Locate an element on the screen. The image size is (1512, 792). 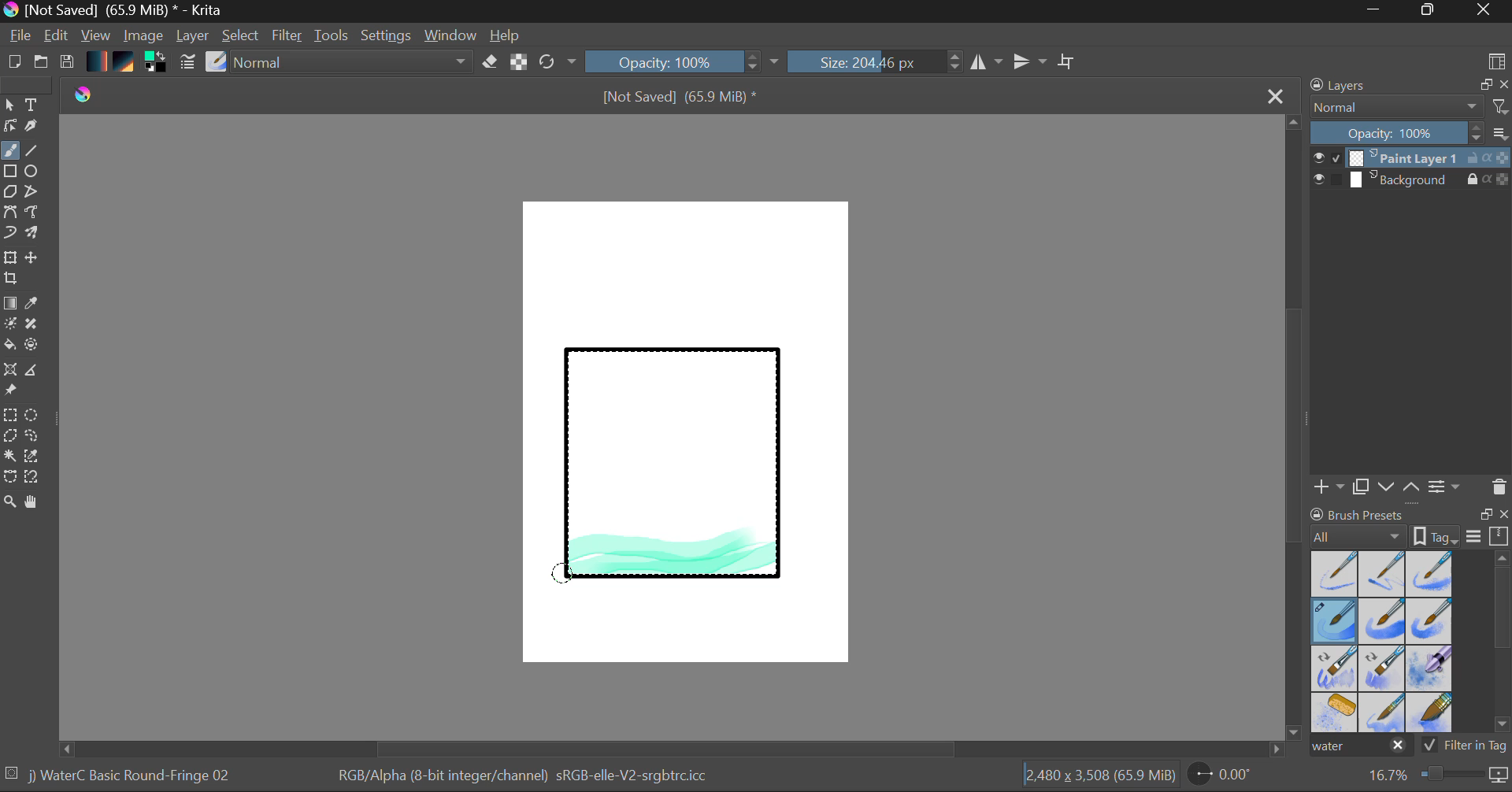
Colors in use is located at coordinates (157, 63).